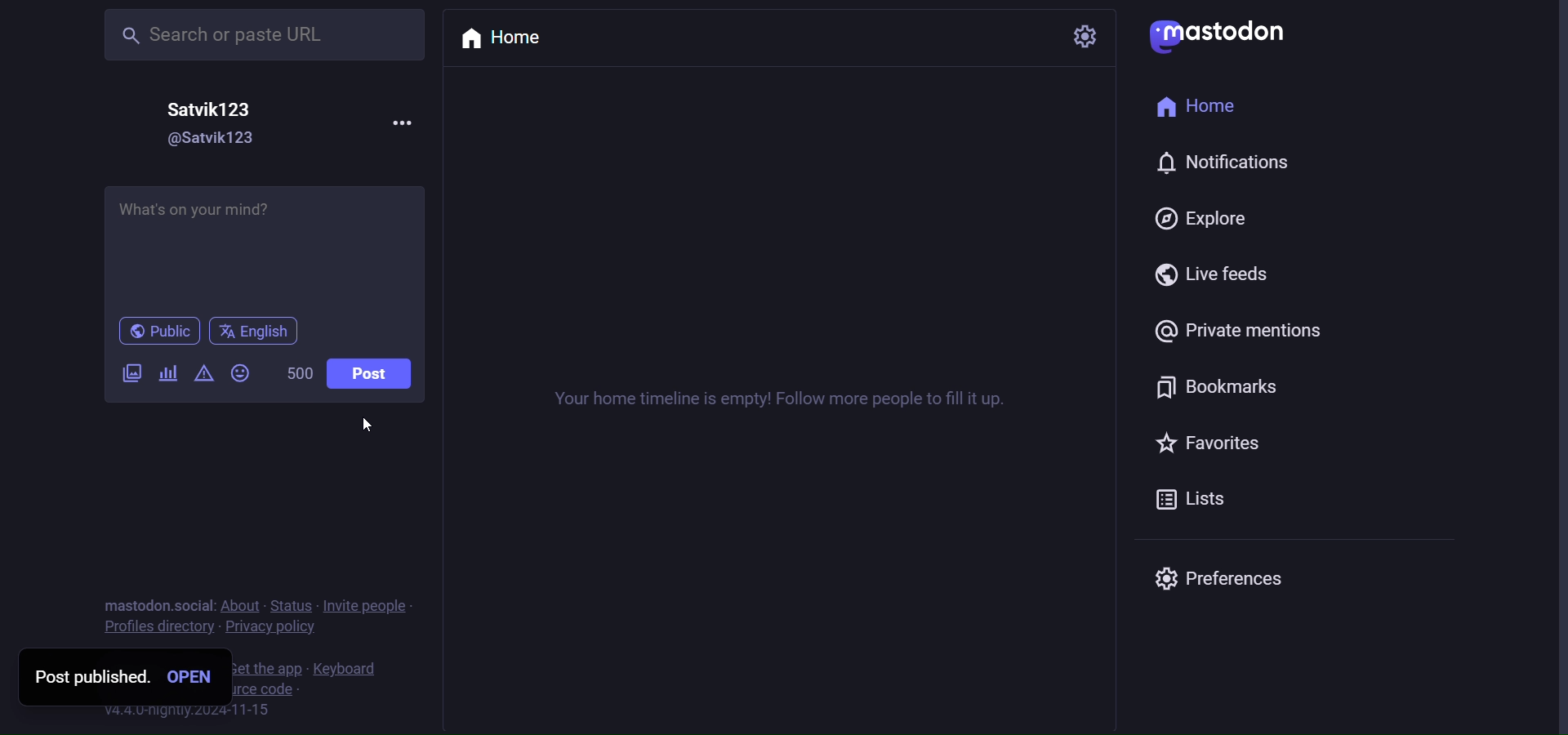  What do you see at coordinates (1219, 276) in the screenshot?
I see `live feed` at bounding box center [1219, 276].